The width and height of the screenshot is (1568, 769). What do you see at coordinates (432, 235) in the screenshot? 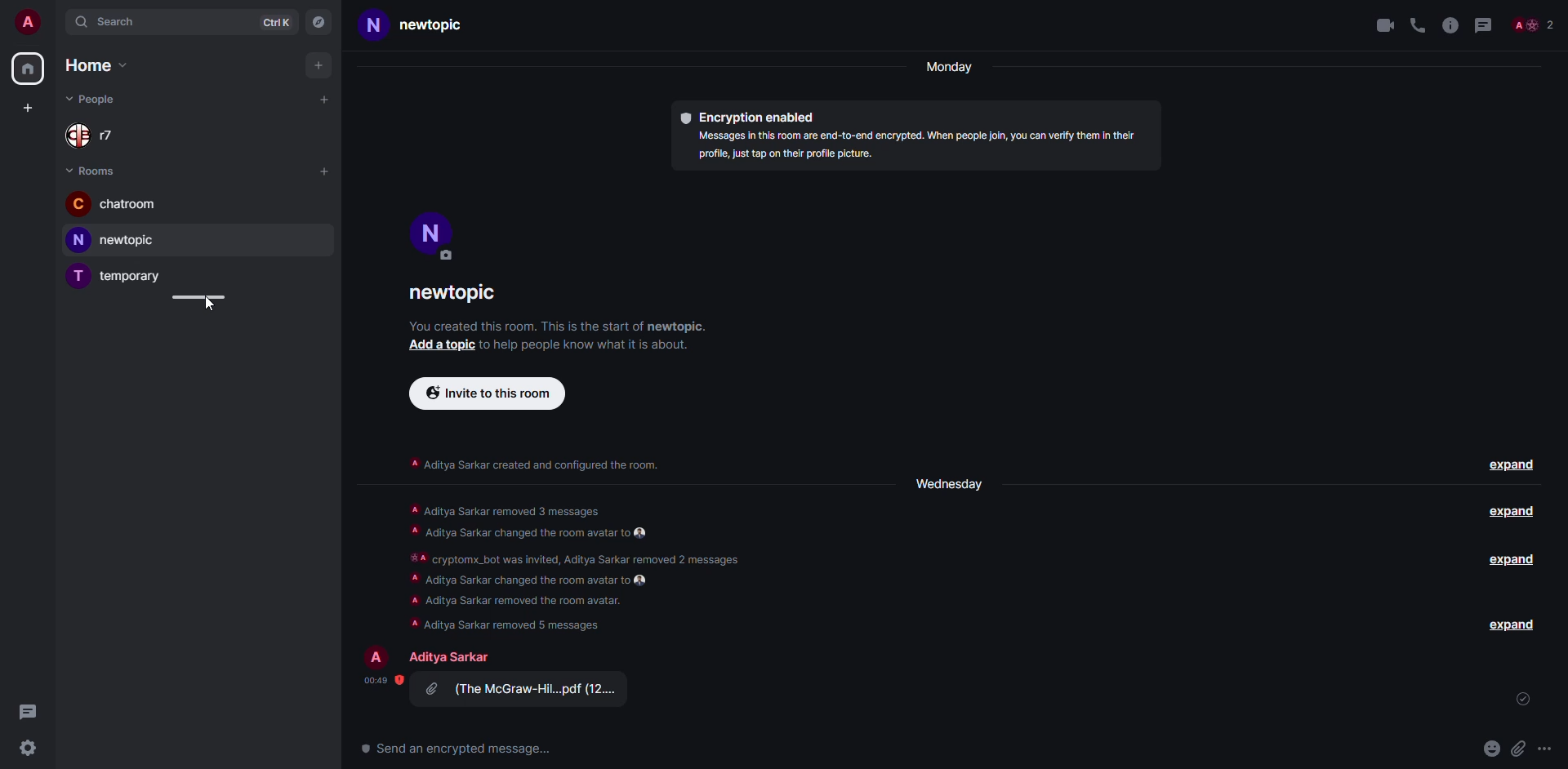
I see `profile` at bounding box center [432, 235].